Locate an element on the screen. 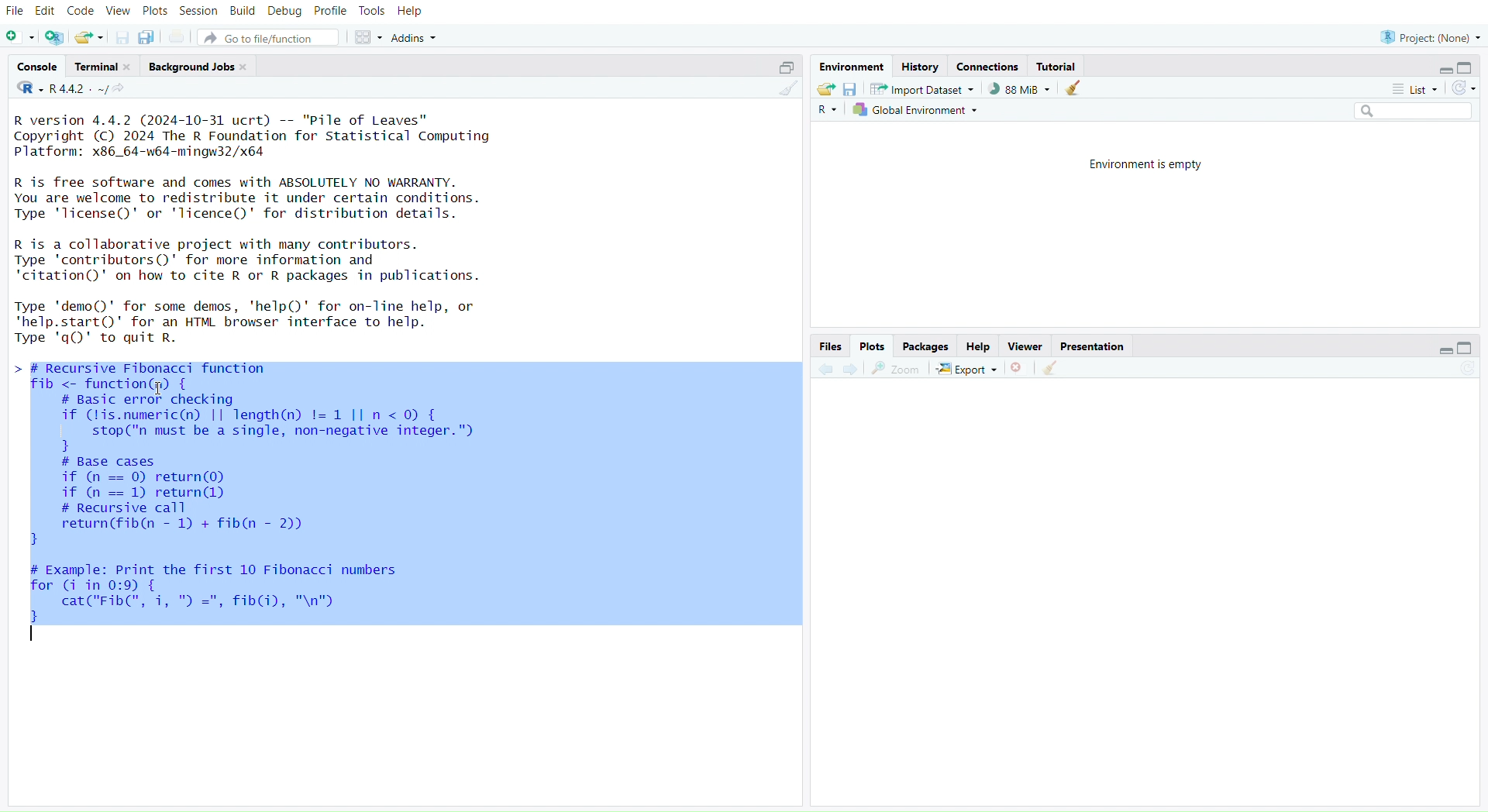 The width and height of the screenshot is (1488, 812). expand is located at coordinates (1444, 71).